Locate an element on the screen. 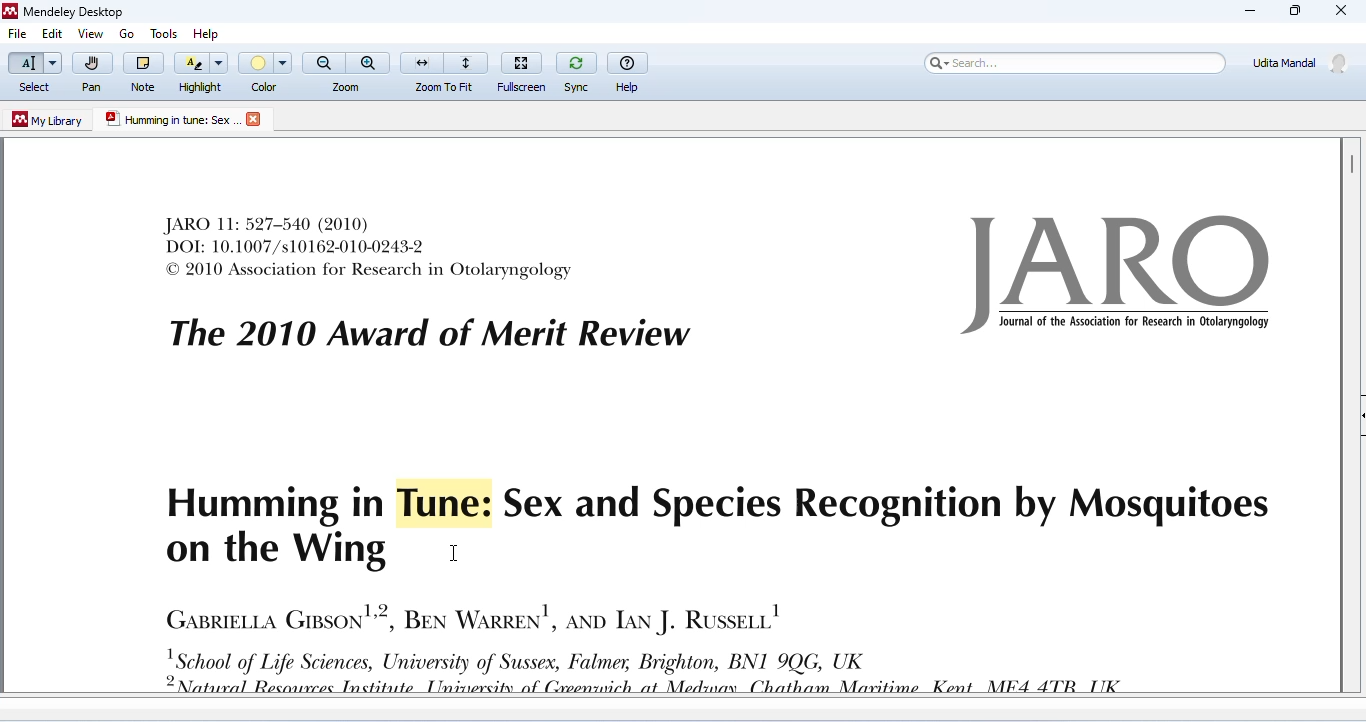 The image size is (1366, 722). zoom to fit is located at coordinates (445, 70).